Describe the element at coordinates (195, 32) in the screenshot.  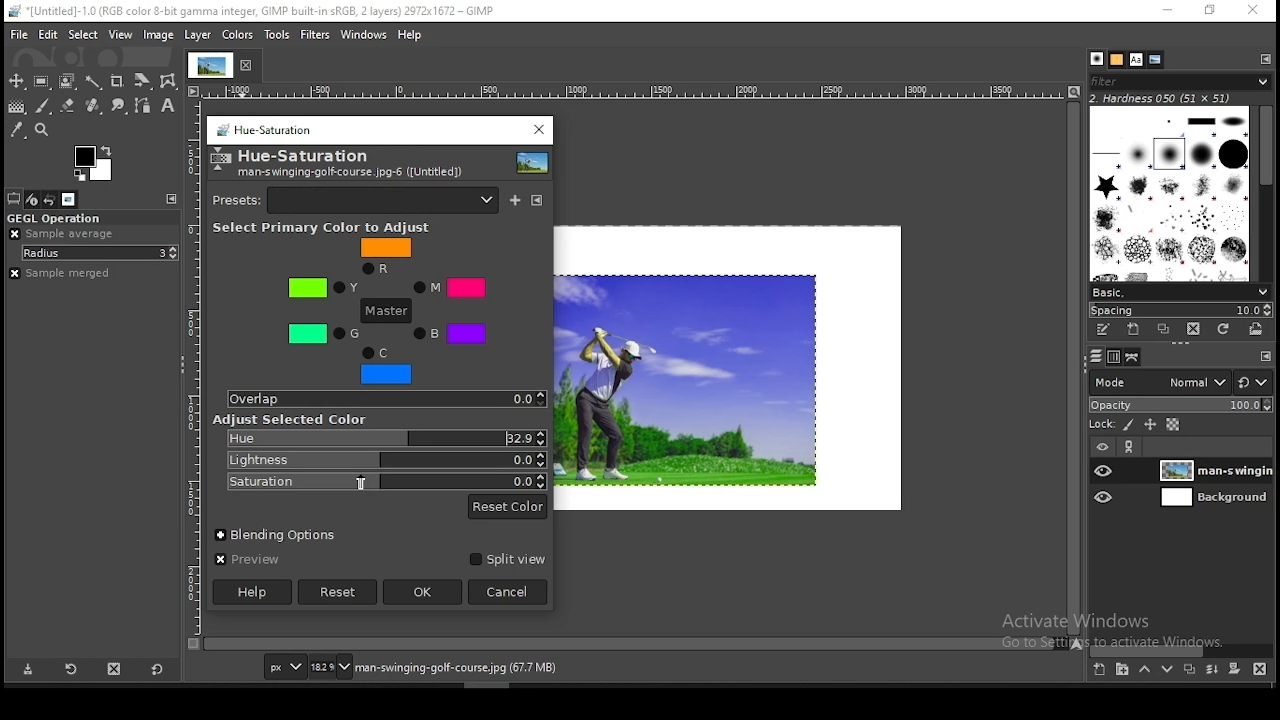
I see `layer` at that location.